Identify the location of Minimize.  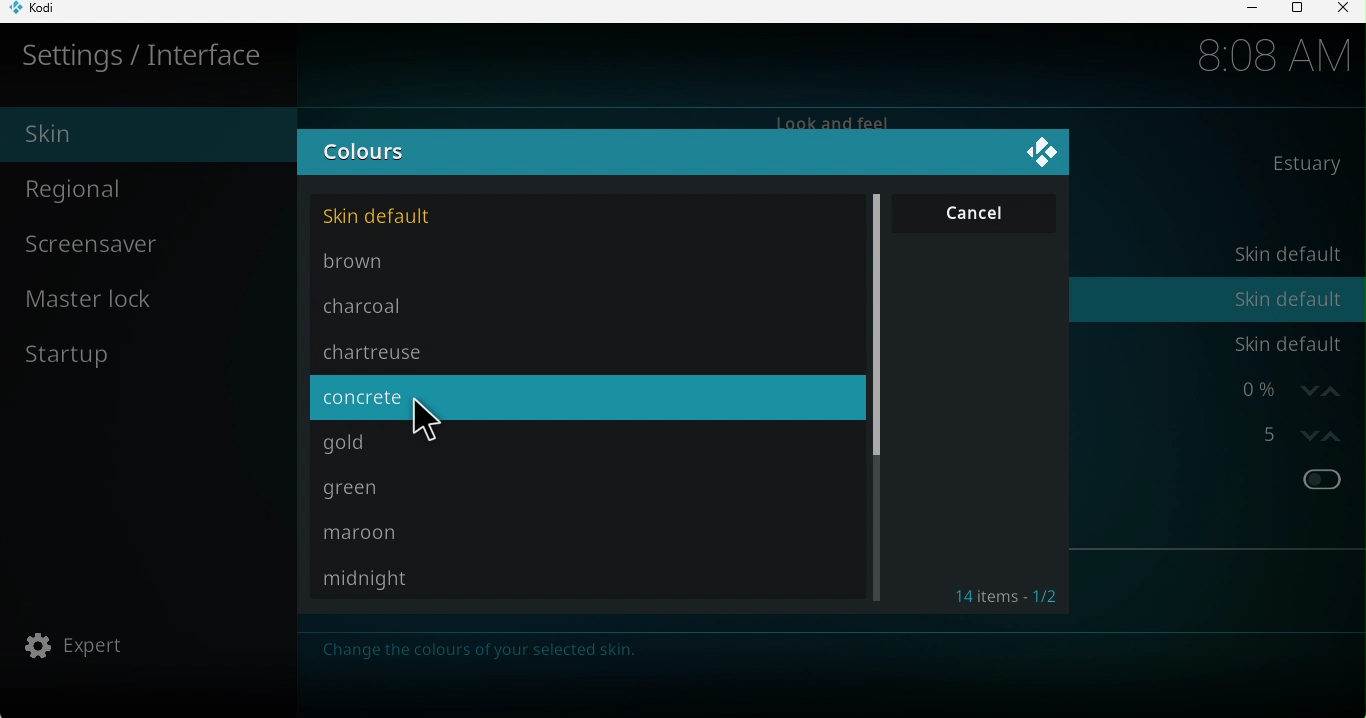
(1243, 11).